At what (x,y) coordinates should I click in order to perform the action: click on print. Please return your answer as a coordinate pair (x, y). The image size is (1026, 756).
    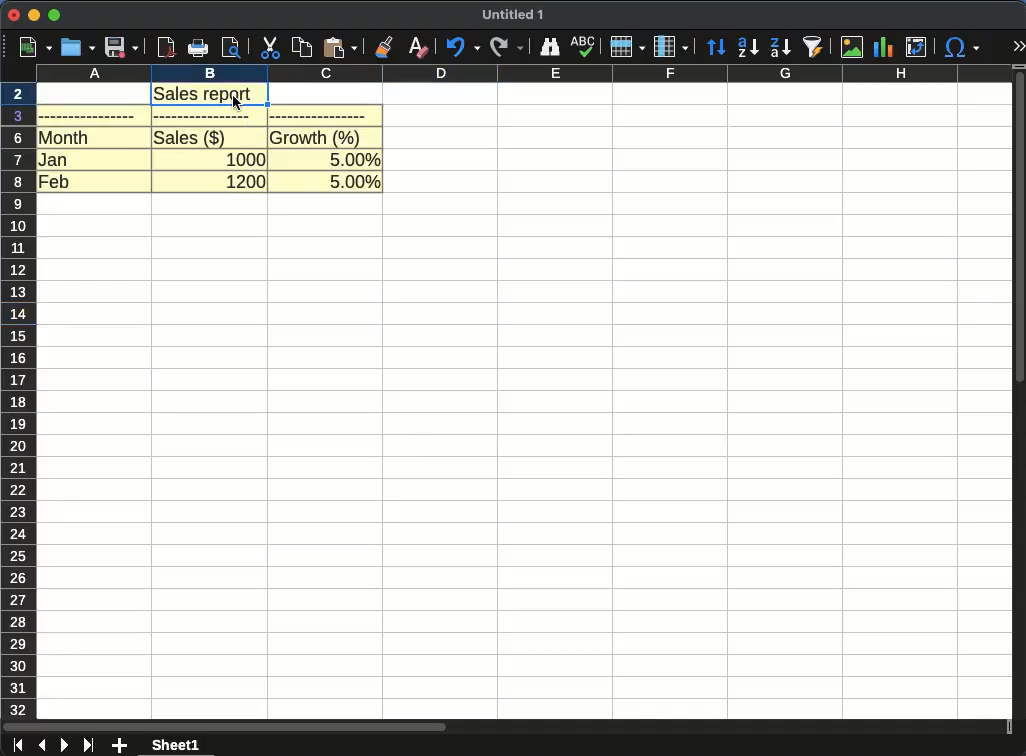
    Looking at the image, I should click on (197, 48).